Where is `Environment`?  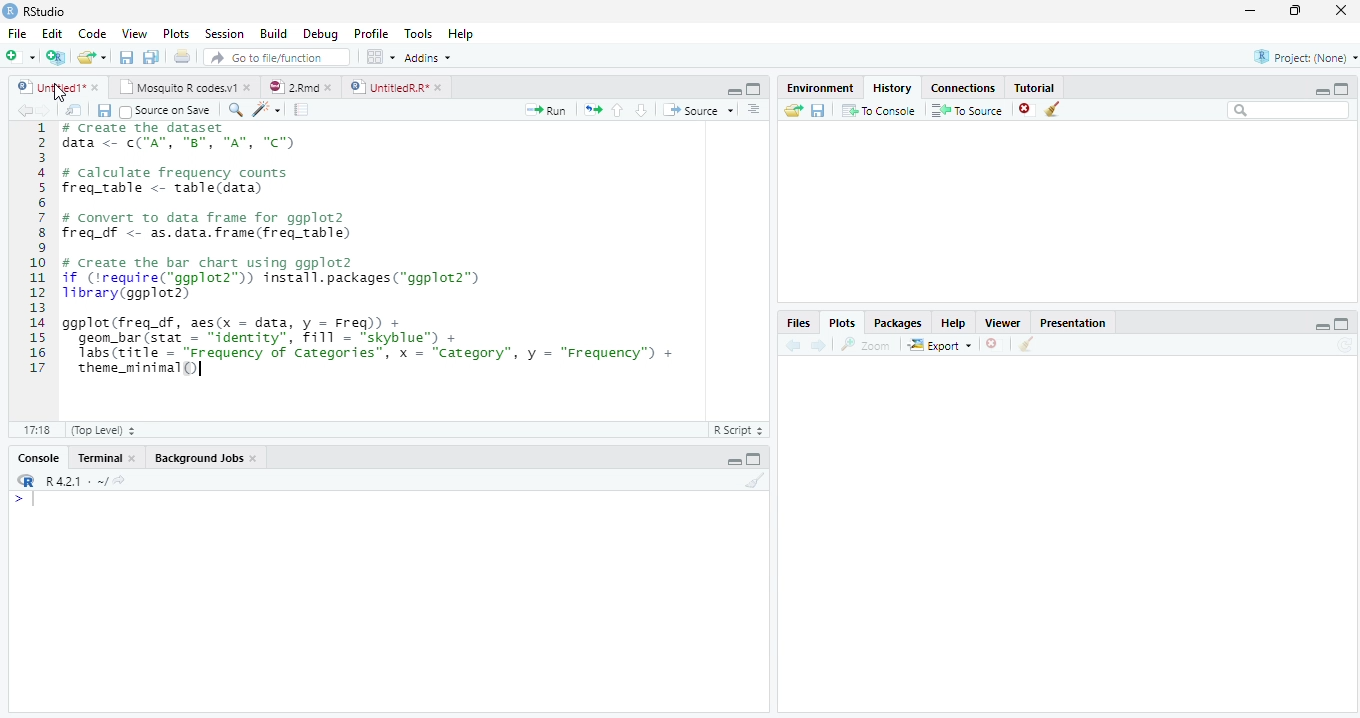 Environment is located at coordinates (818, 88).